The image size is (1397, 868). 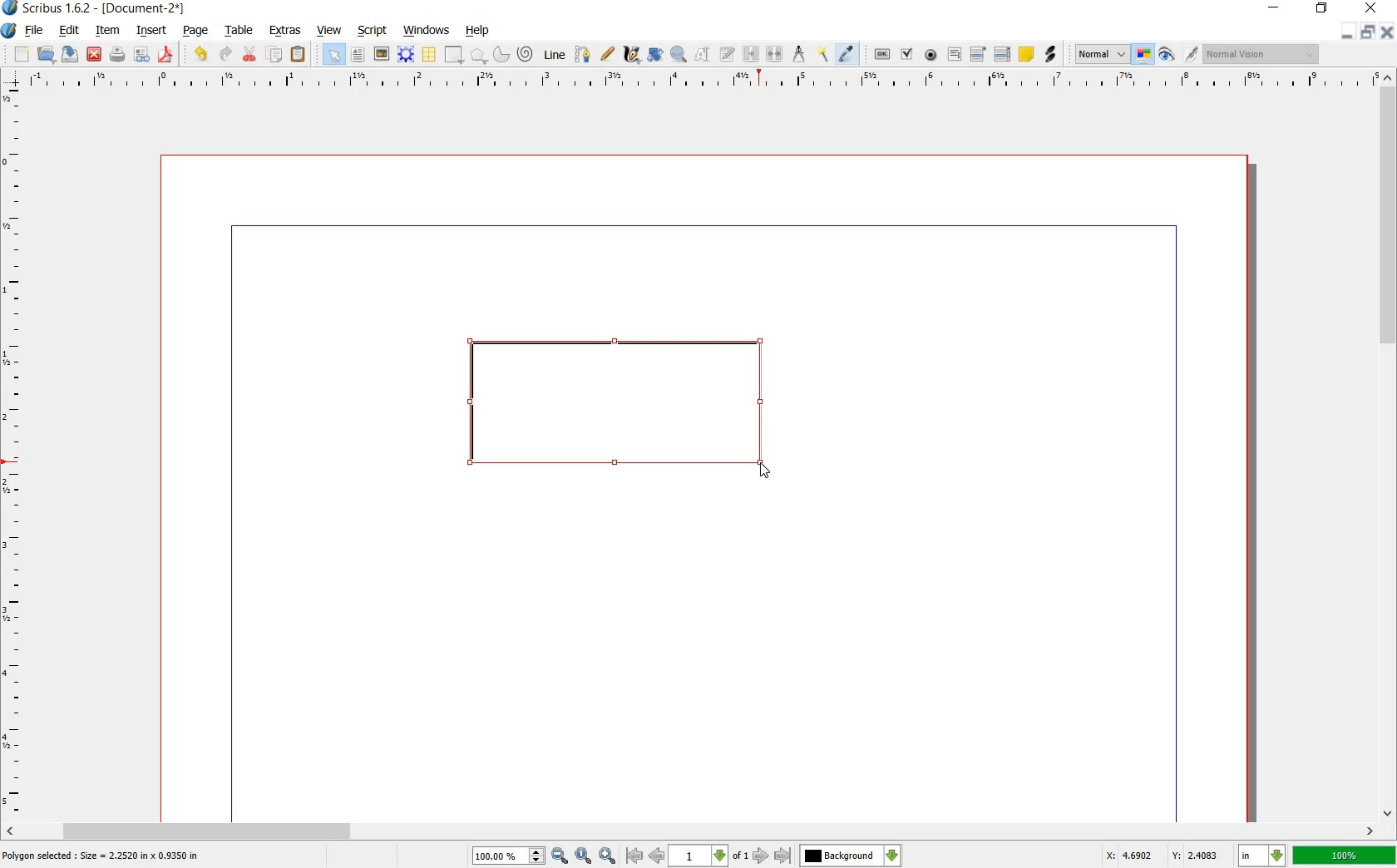 I want to click on EDIT IN PREVIEW MODE, so click(x=1193, y=54).